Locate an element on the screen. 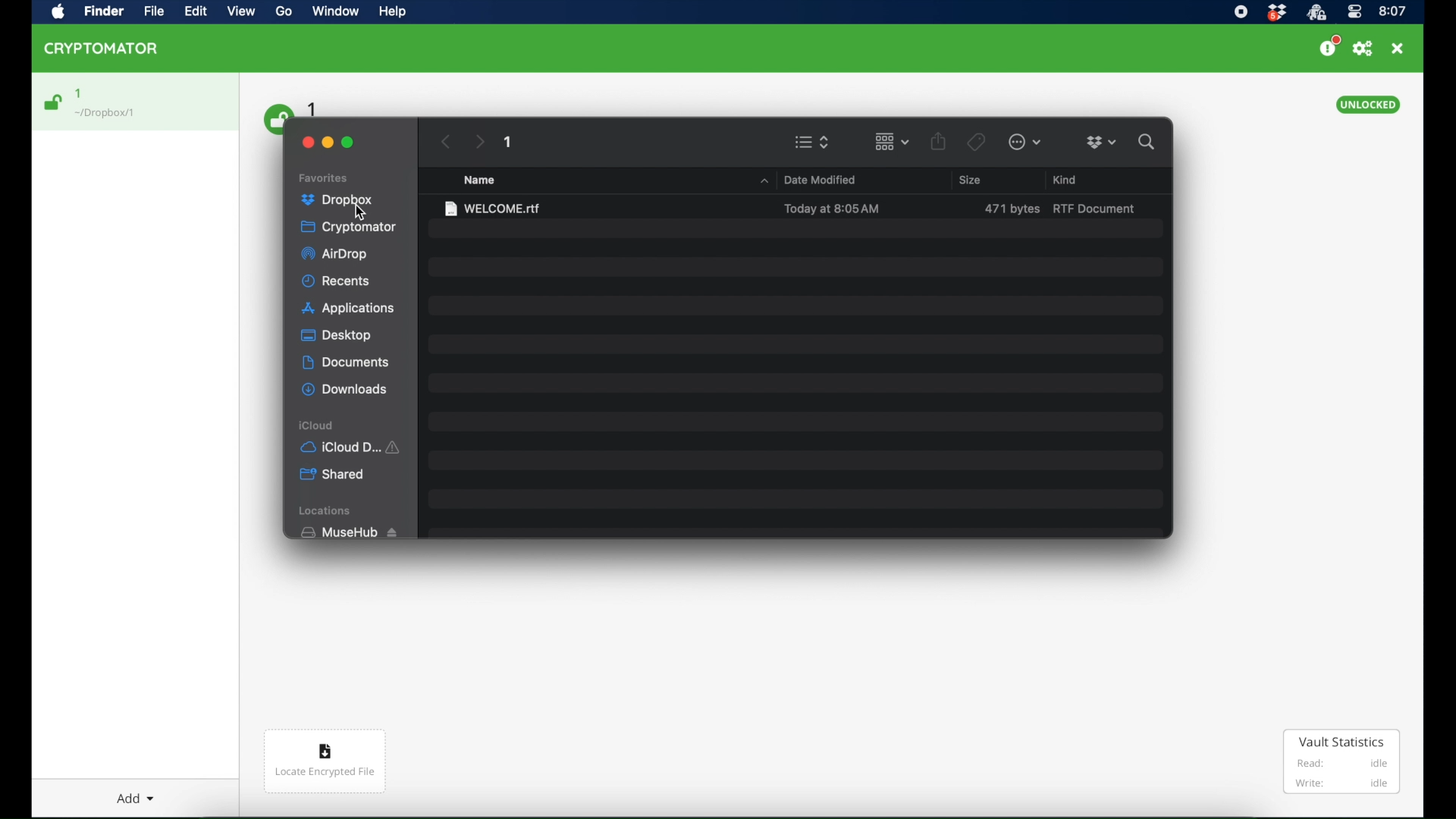 The height and width of the screenshot is (819, 1456). Find is located at coordinates (107, 12).